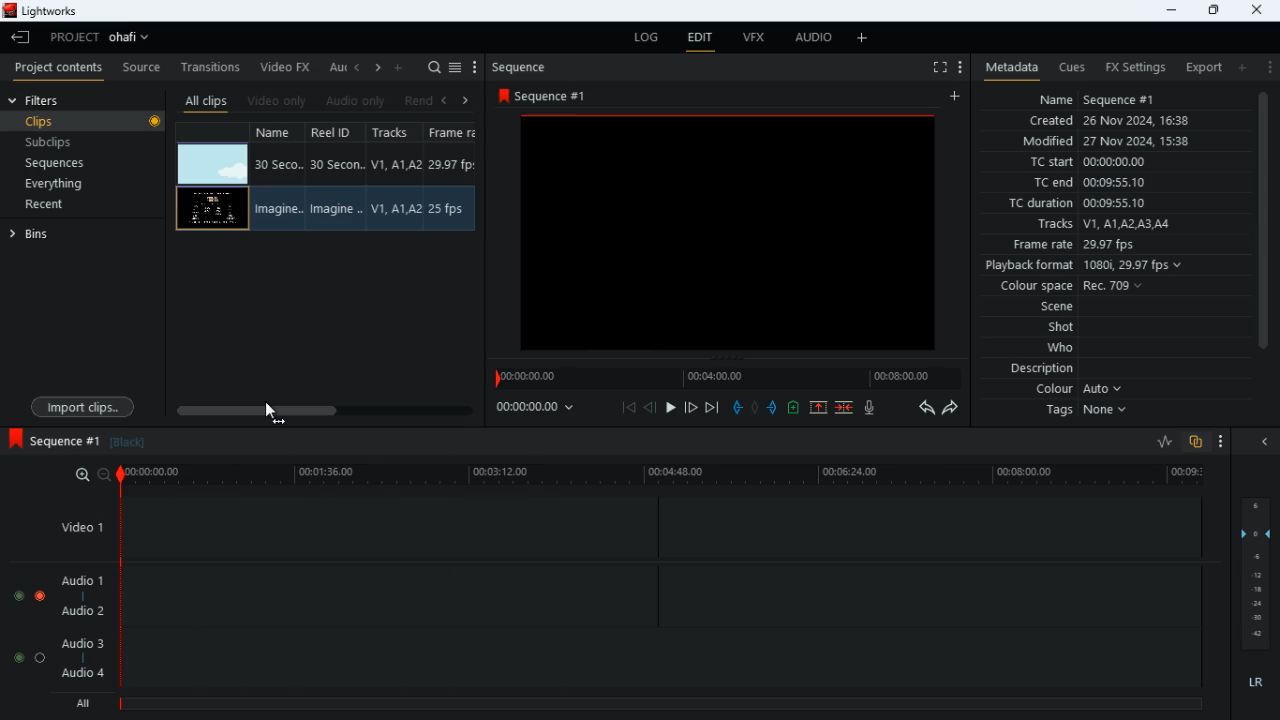 This screenshot has height=720, width=1280. Describe the element at coordinates (874, 409) in the screenshot. I see `mic` at that location.